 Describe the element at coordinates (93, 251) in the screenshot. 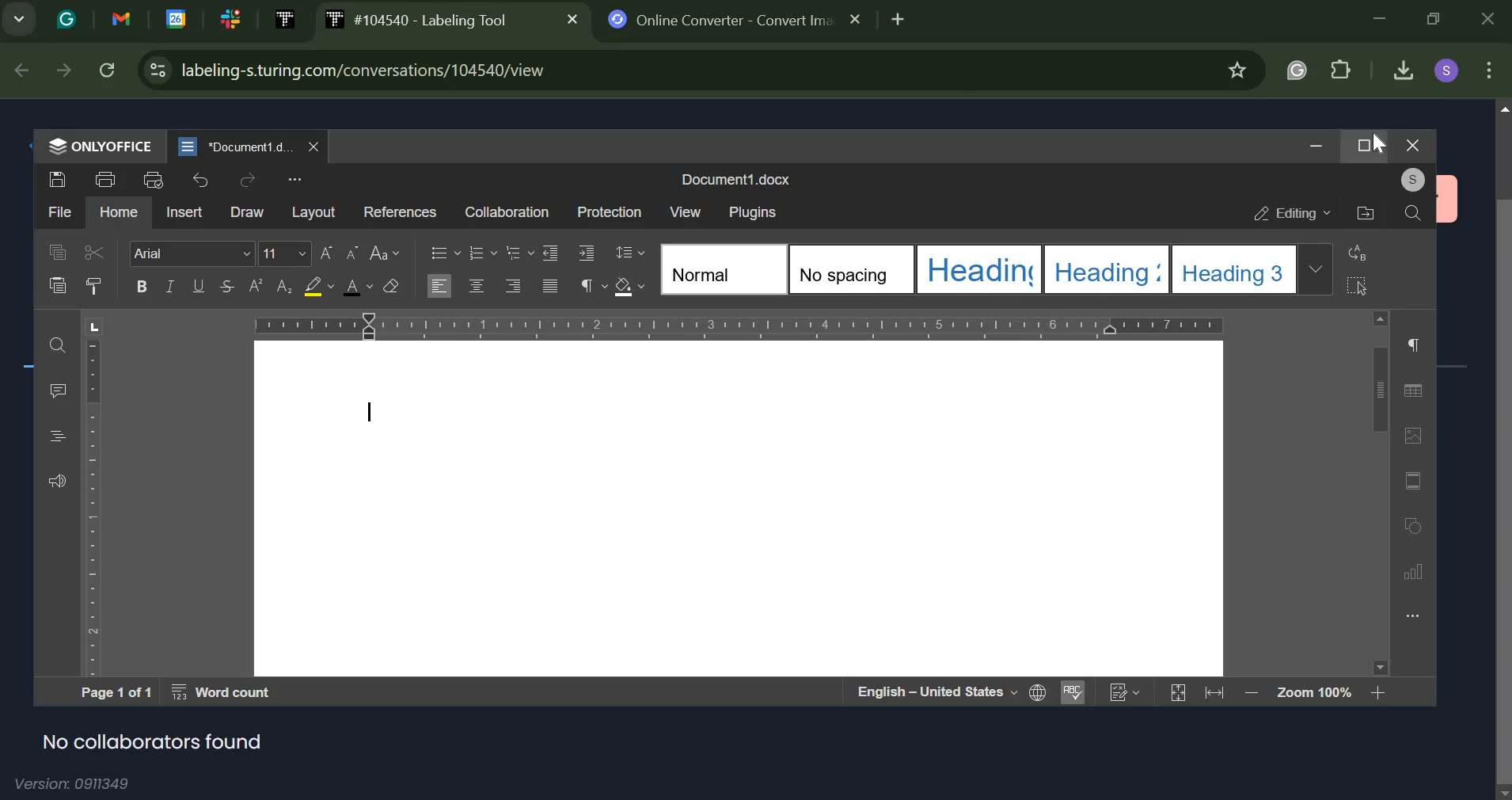

I see `cut` at that location.